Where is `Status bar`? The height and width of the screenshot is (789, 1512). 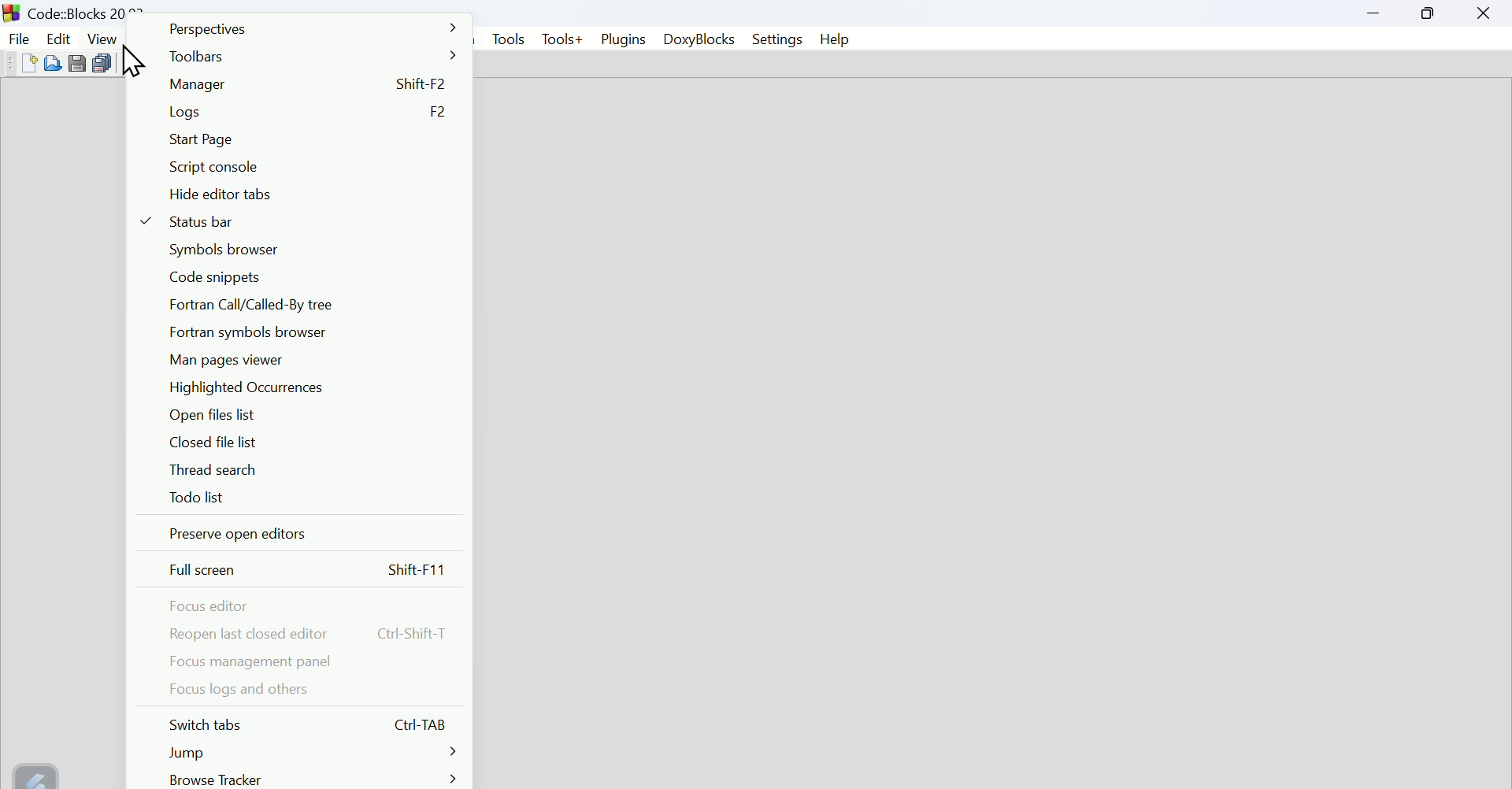
Status bar is located at coordinates (213, 220).